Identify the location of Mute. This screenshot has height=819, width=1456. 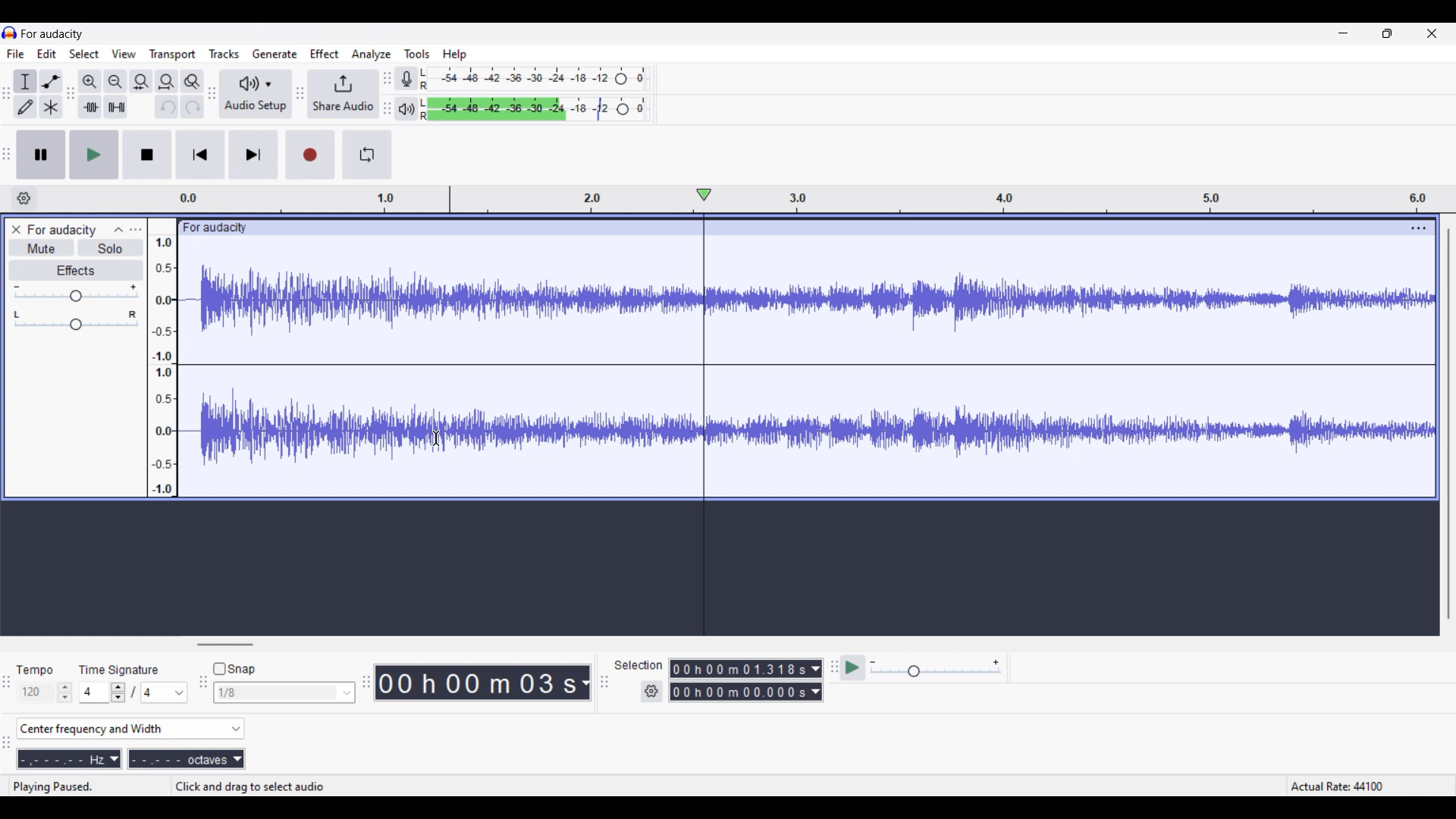
(42, 248).